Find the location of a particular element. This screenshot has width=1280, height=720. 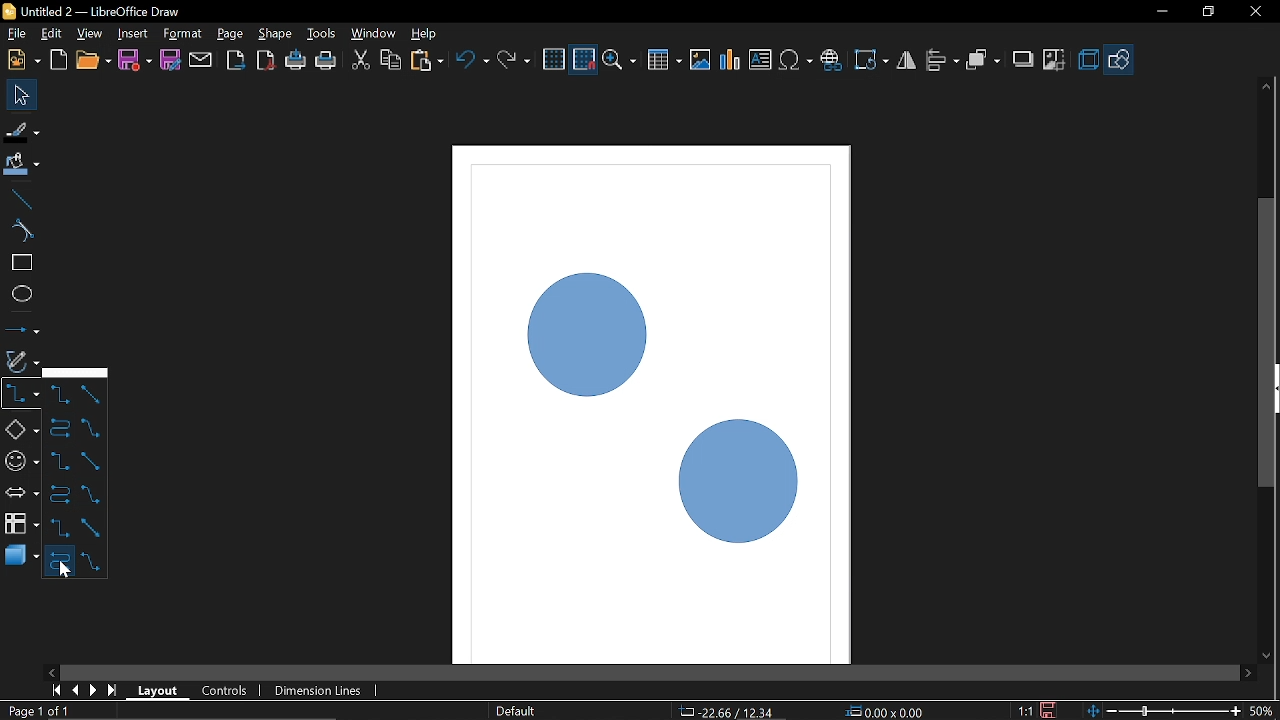

Current page is located at coordinates (38, 712).